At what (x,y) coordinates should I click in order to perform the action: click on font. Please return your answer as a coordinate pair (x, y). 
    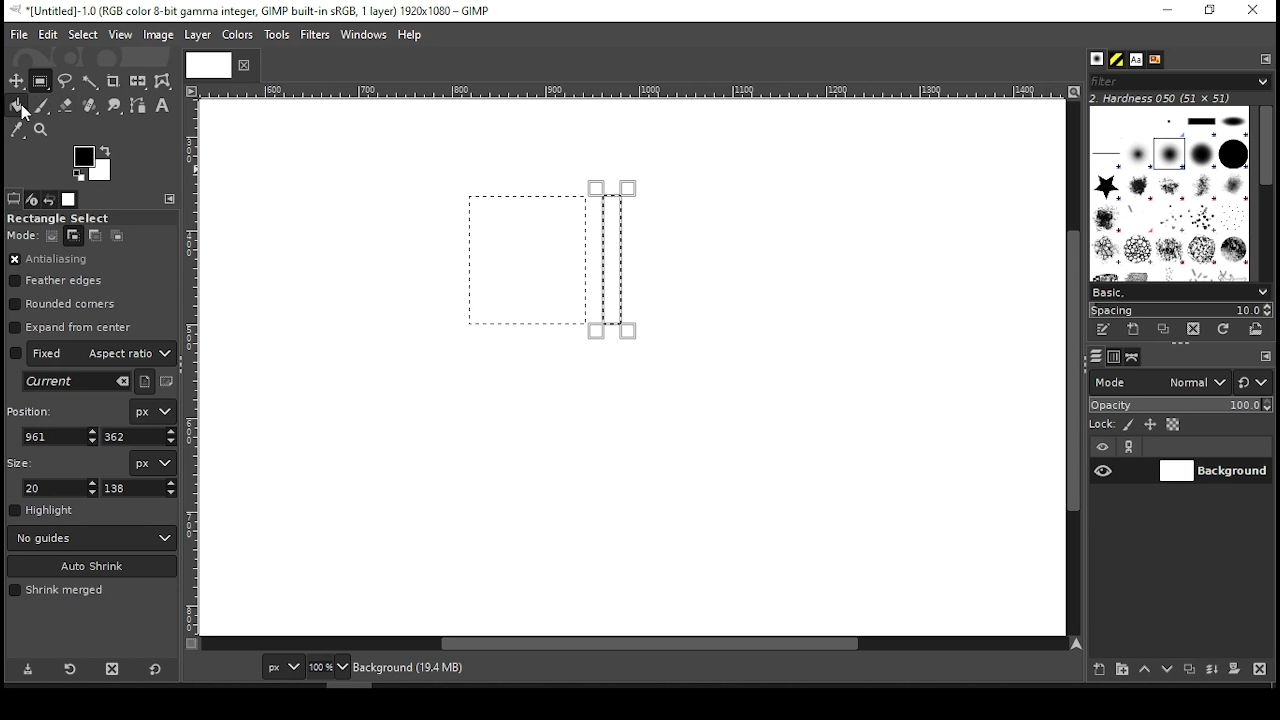
    Looking at the image, I should click on (1135, 60).